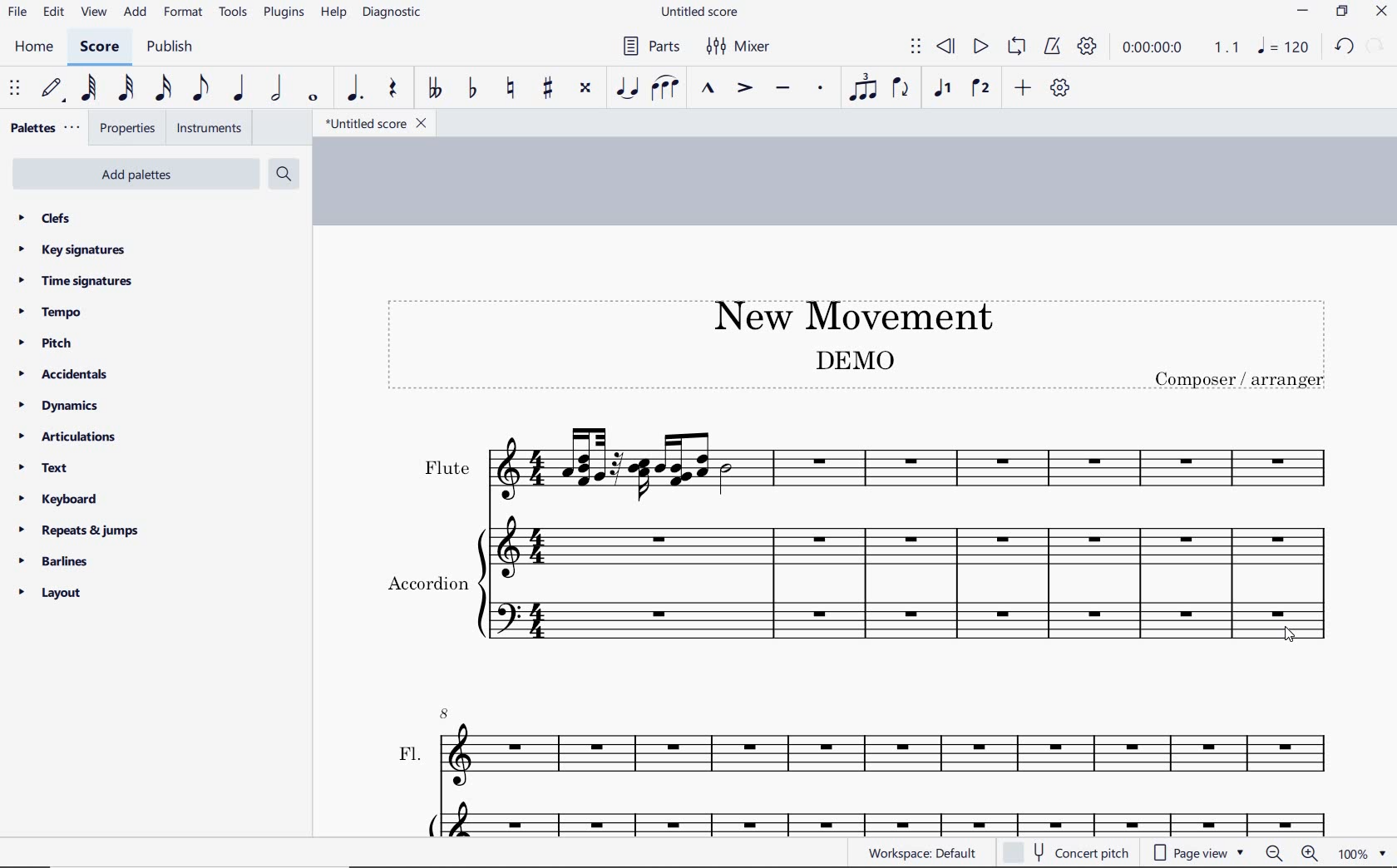 The height and width of the screenshot is (868, 1397). I want to click on toggle double-sharp, so click(586, 88).